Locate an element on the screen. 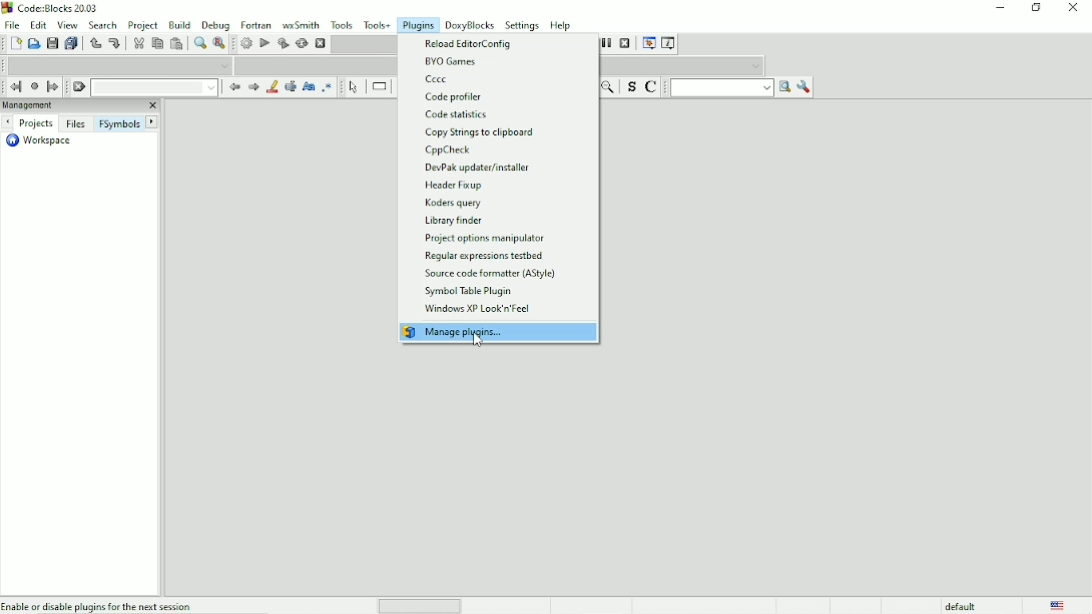 The height and width of the screenshot is (614, 1092). View is located at coordinates (67, 25).